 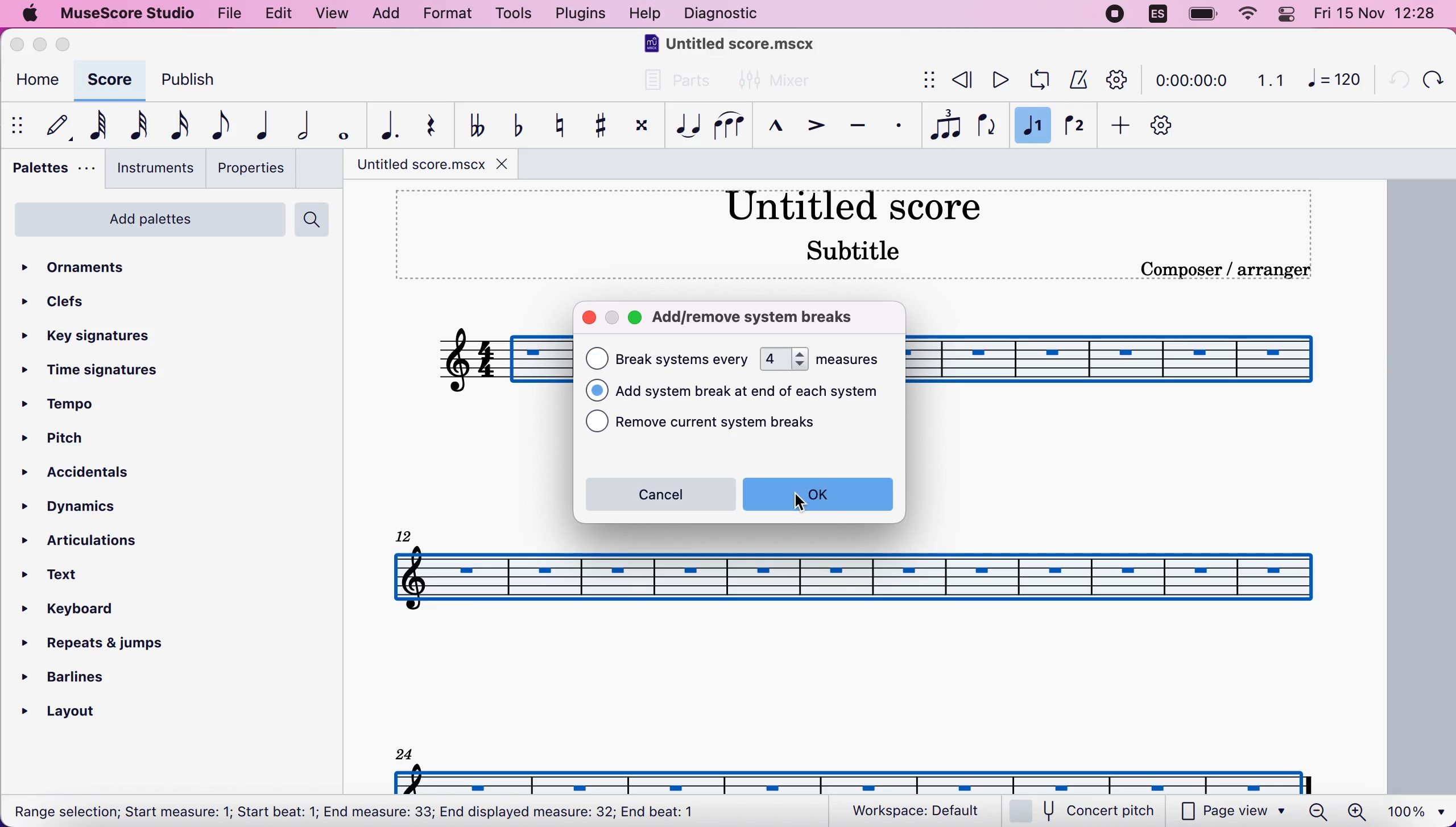 I want to click on cursor, so click(x=802, y=503).